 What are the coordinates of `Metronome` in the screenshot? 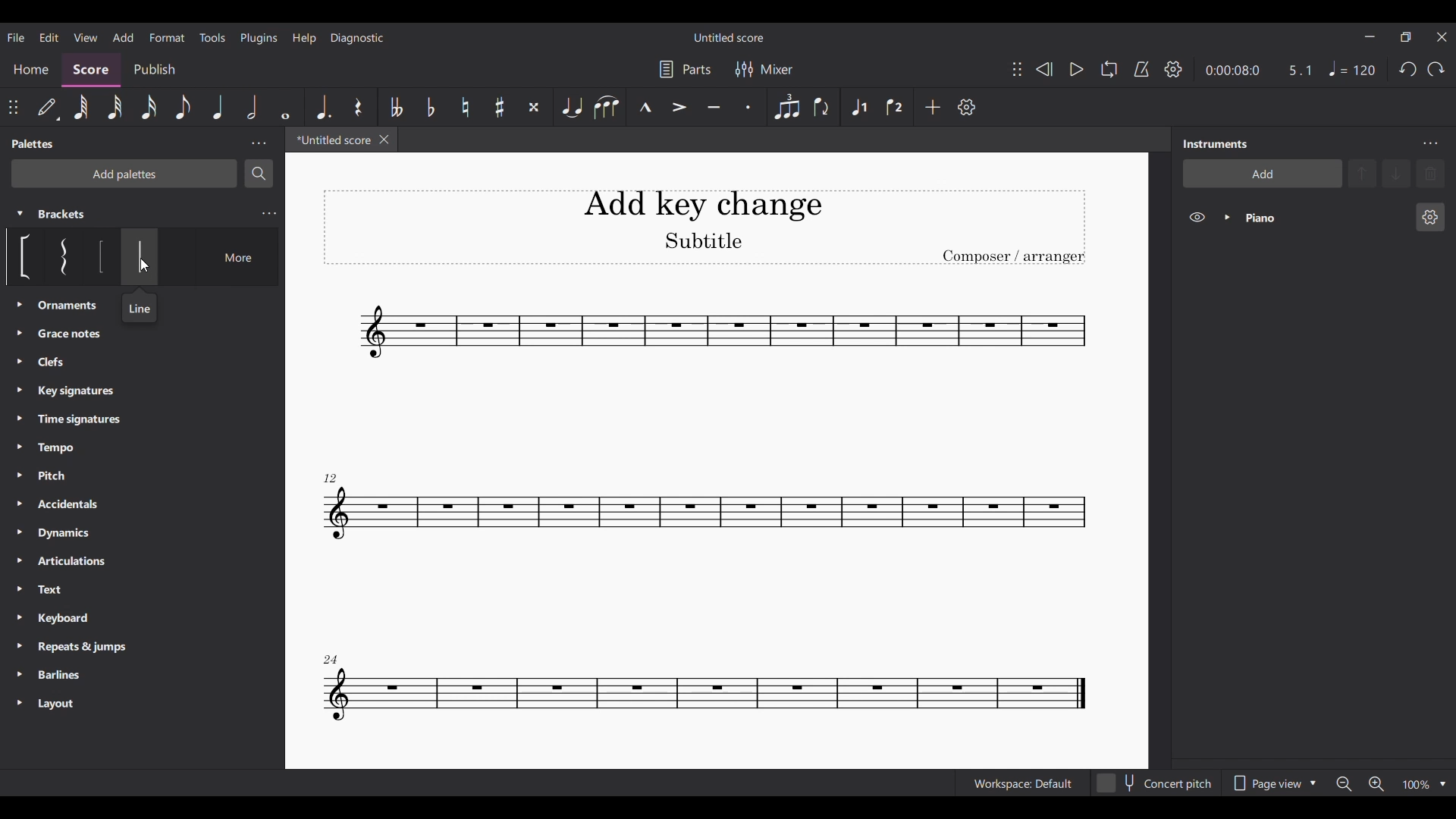 It's located at (1141, 69).